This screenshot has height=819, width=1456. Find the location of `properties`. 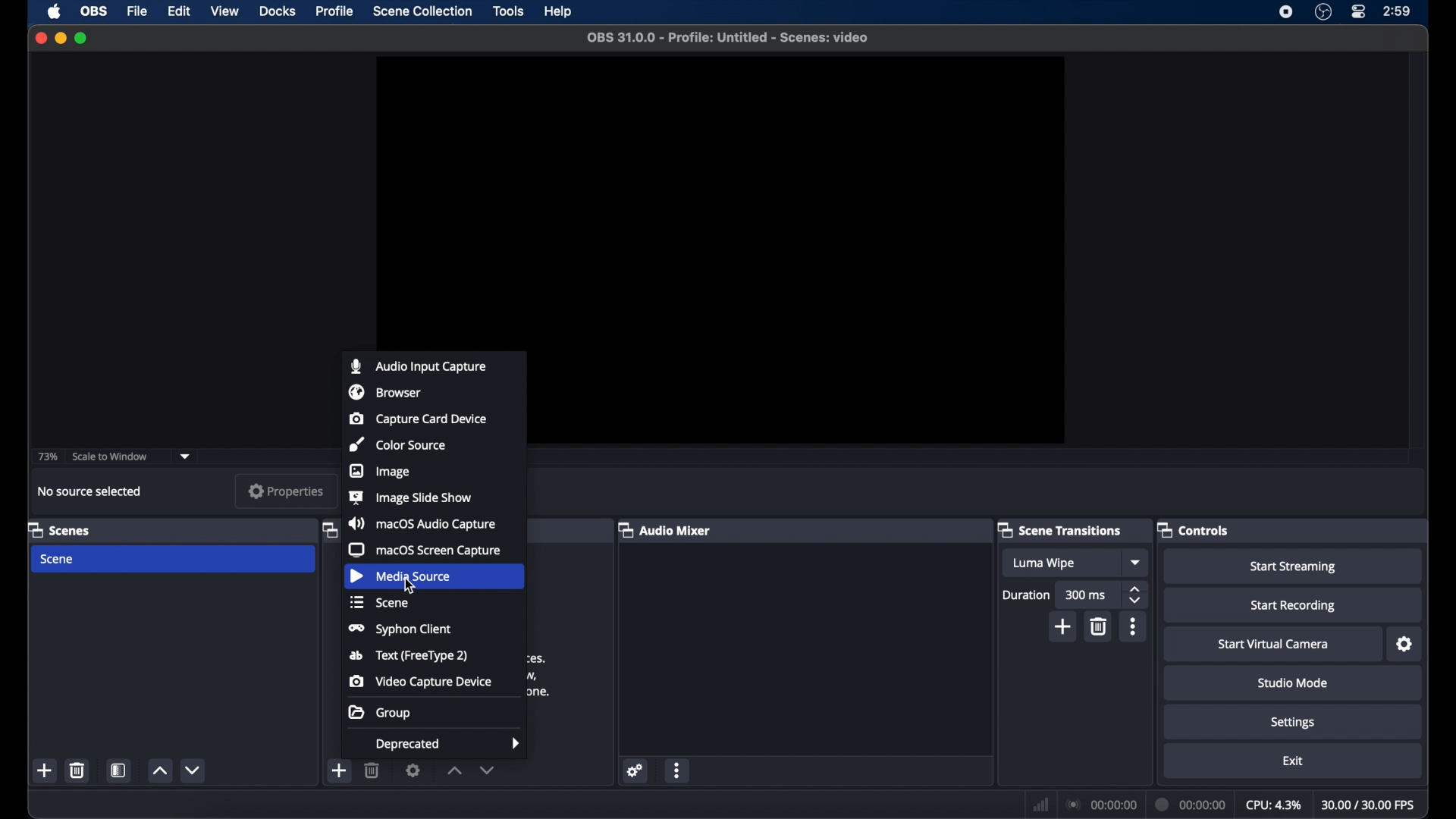

properties is located at coordinates (286, 491).